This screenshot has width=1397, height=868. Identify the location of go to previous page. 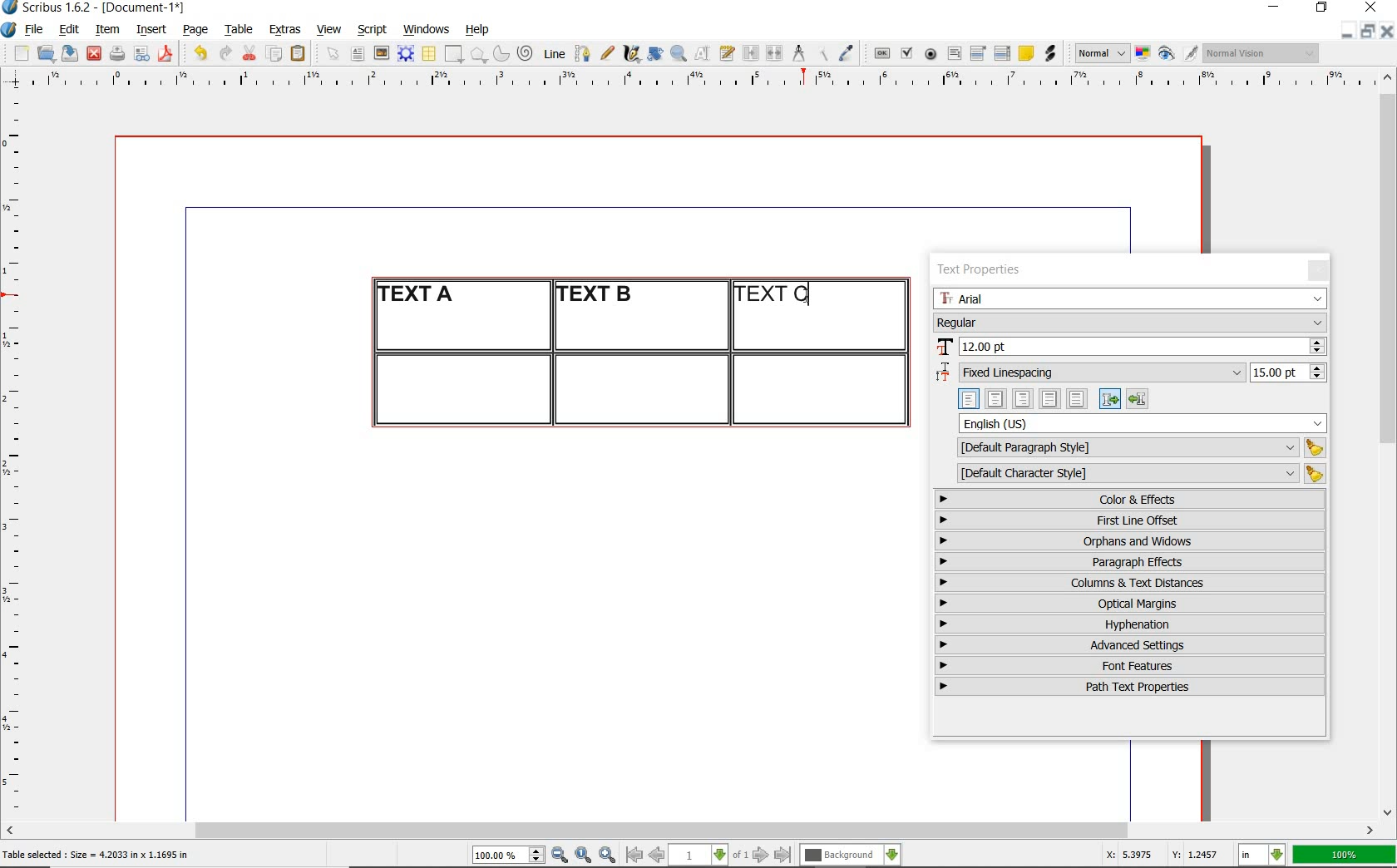
(656, 856).